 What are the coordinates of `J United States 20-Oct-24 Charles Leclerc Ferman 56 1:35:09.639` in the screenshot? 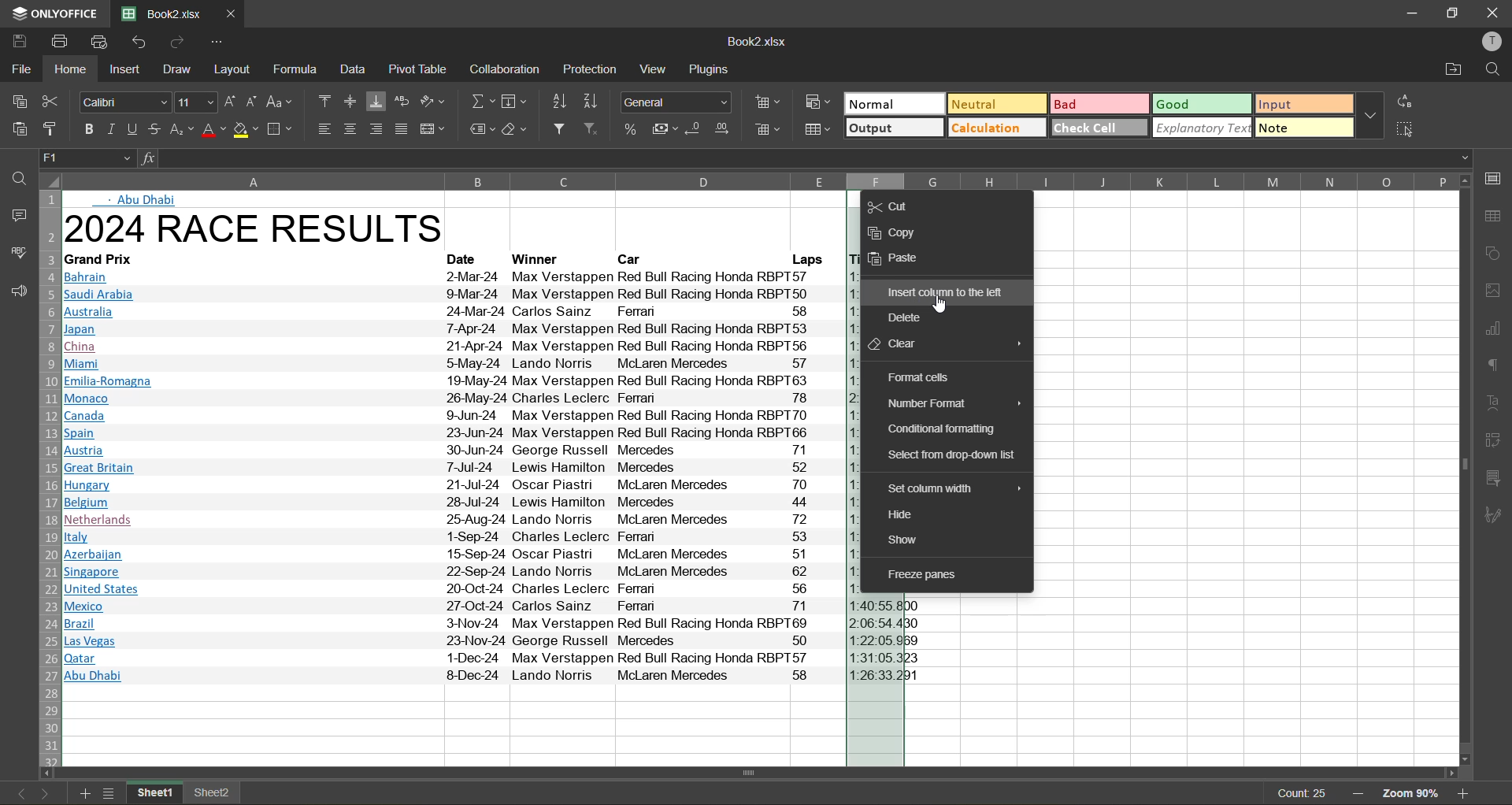 It's located at (453, 589).